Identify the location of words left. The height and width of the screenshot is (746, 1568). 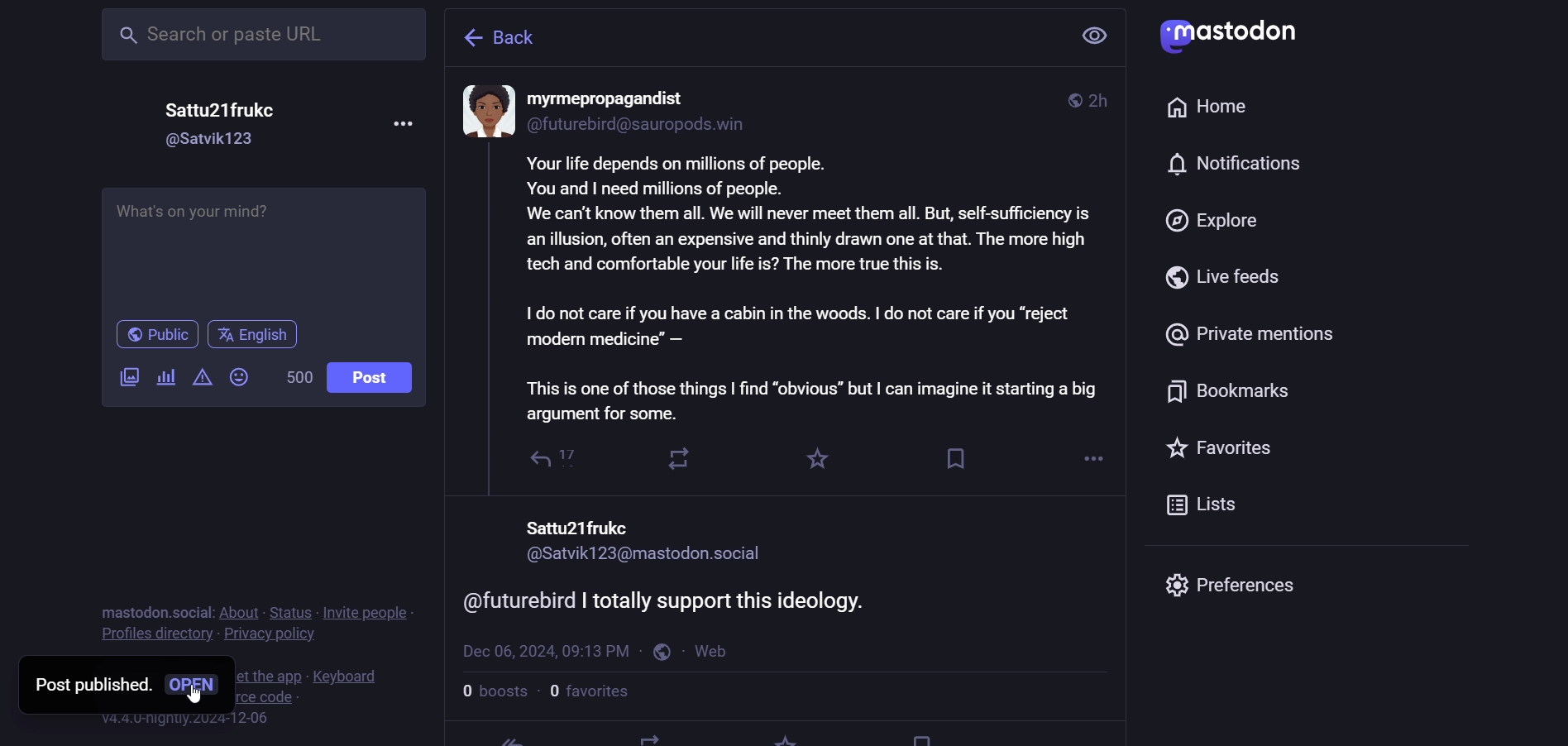
(292, 375).